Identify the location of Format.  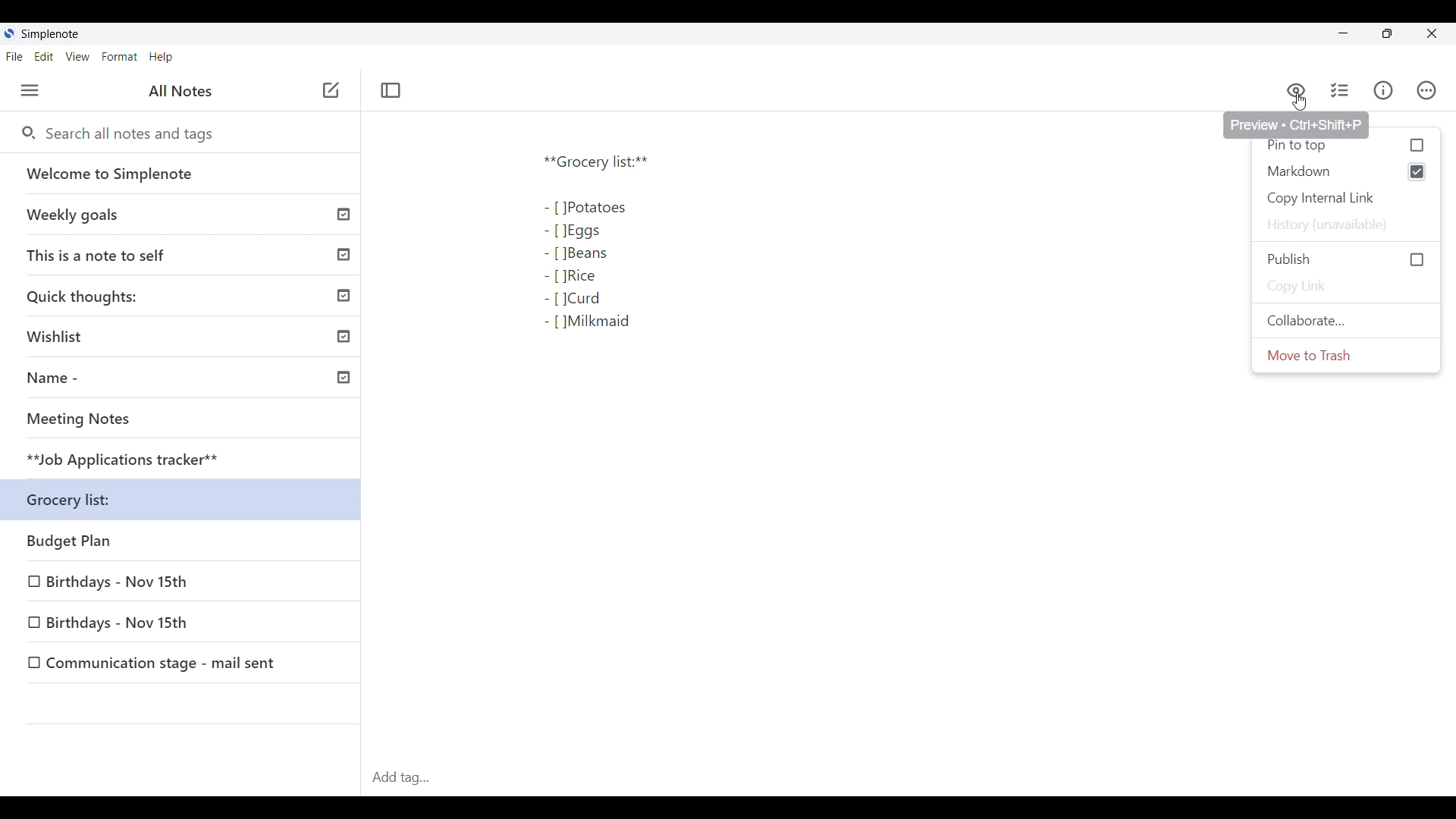
(120, 57).